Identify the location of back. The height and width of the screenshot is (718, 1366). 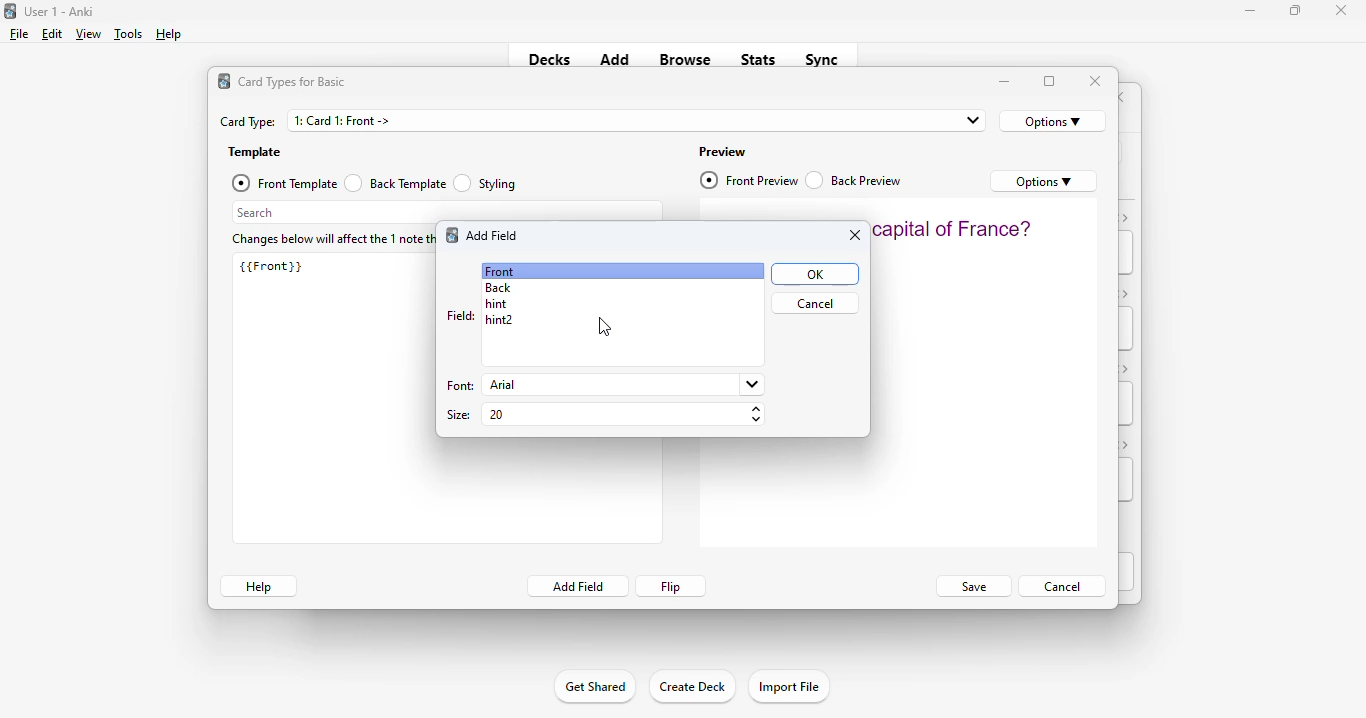
(499, 288).